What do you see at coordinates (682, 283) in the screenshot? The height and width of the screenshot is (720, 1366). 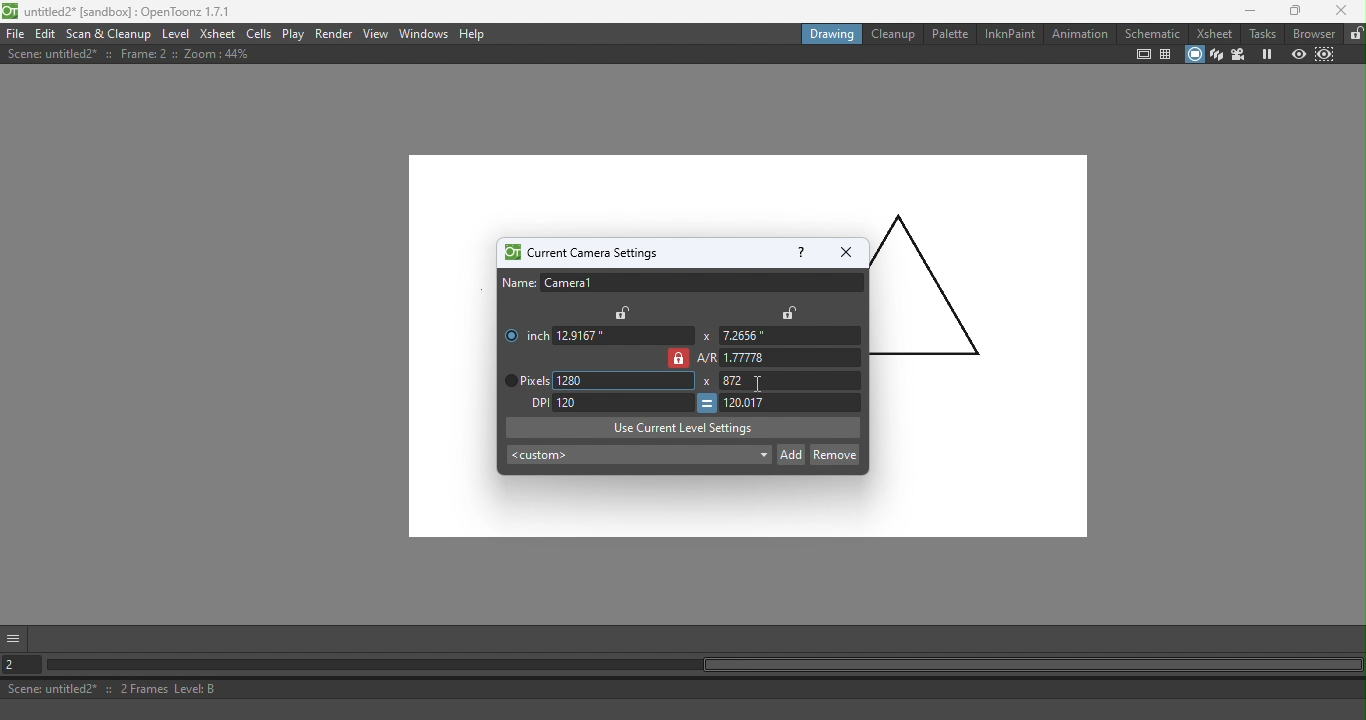 I see `Name` at bounding box center [682, 283].